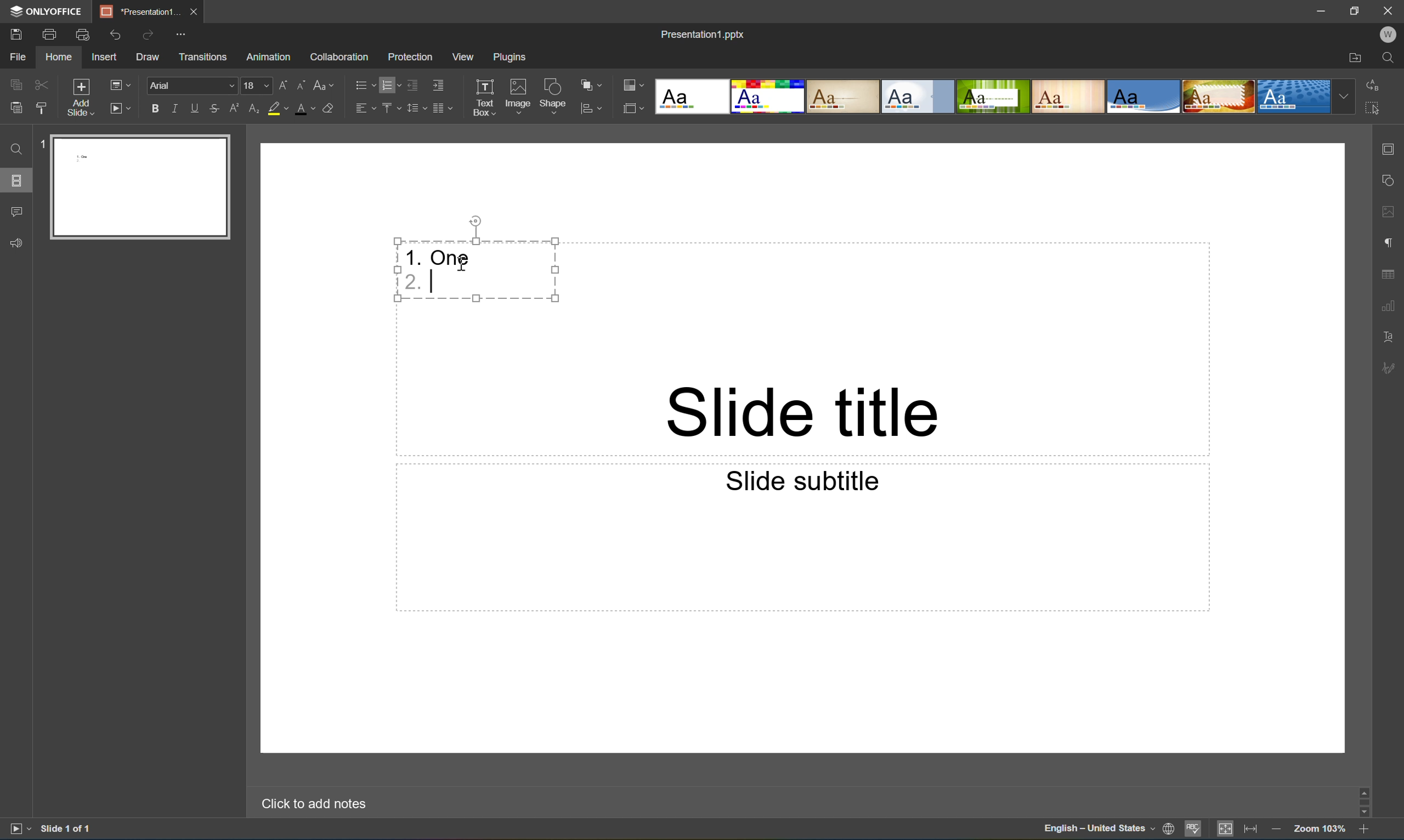 The width and height of the screenshot is (1404, 840). I want to click on Paste, so click(145, 187).